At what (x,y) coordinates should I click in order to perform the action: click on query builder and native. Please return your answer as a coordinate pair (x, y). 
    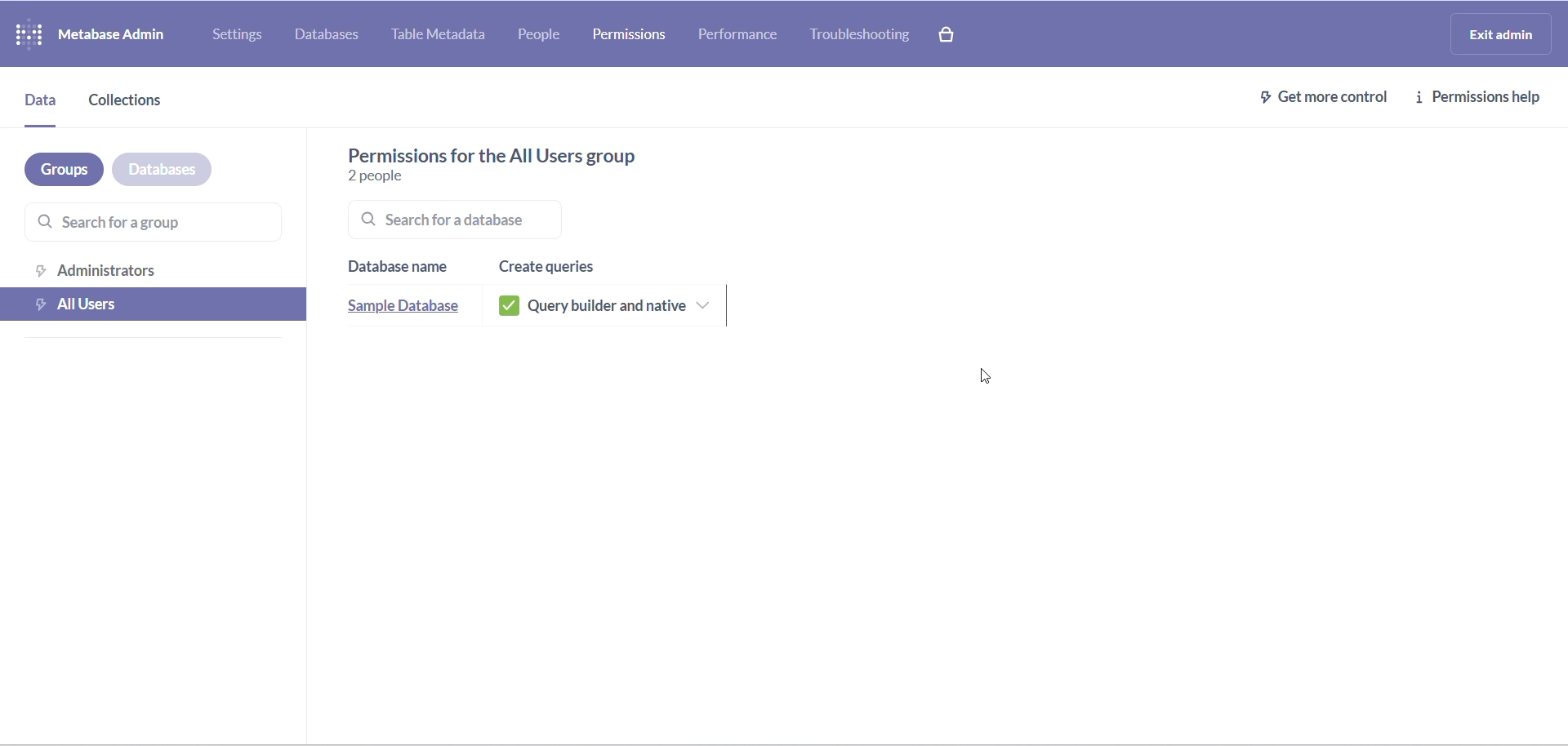
    Looking at the image, I should click on (621, 306).